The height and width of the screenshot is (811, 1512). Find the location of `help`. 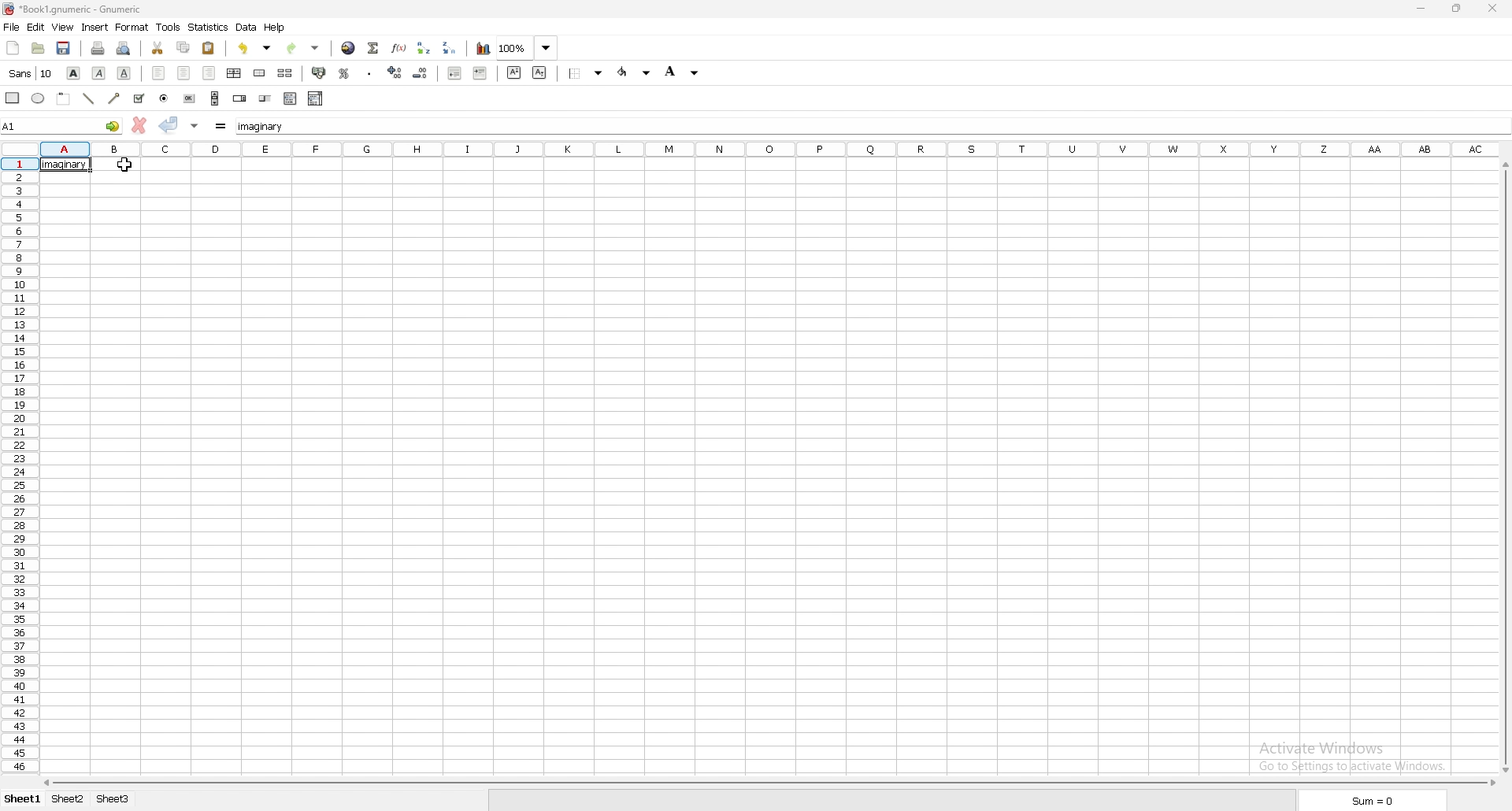

help is located at coordinates (275, 28).